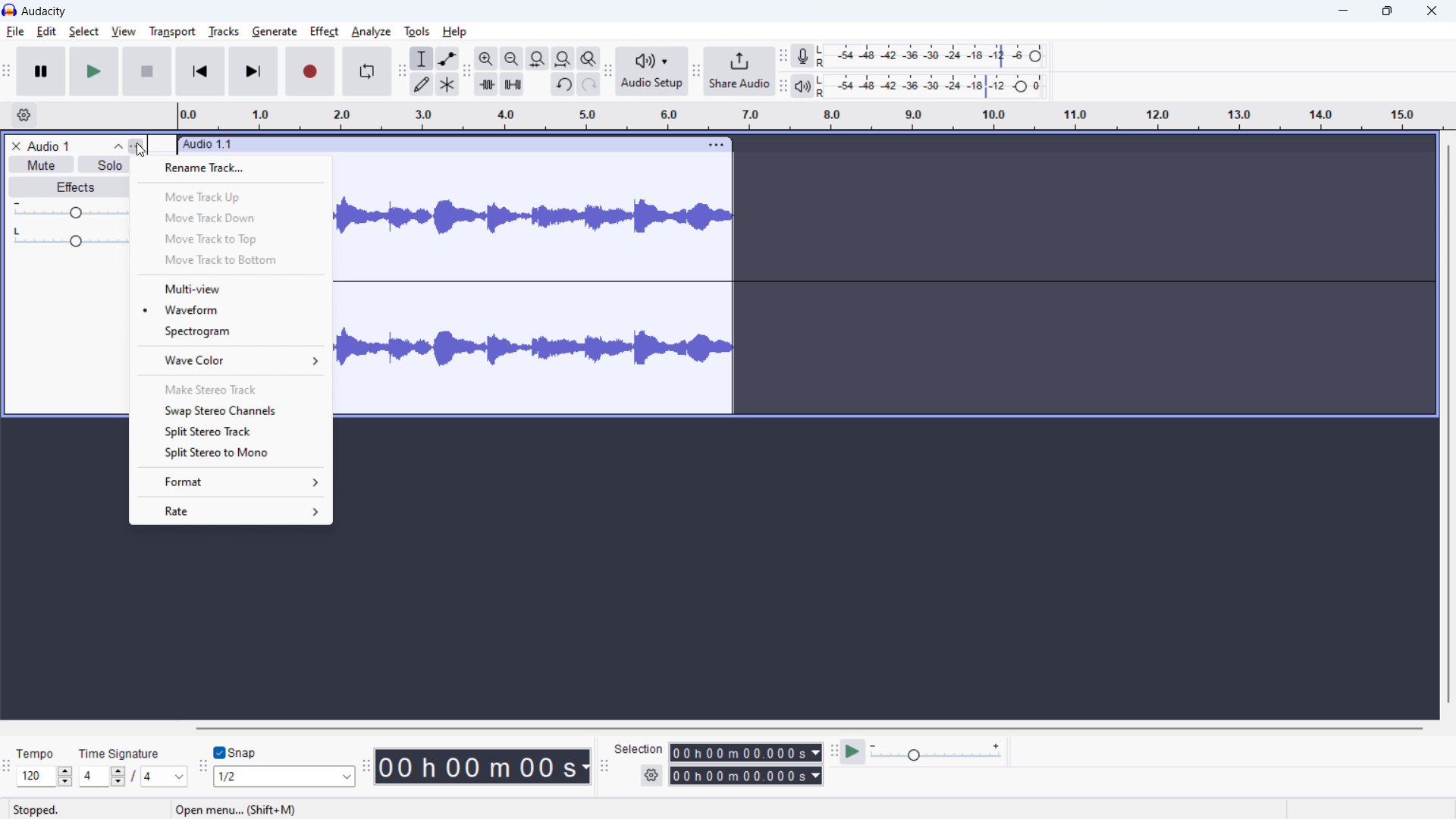 This screenshot has height=819, width=1456. I want to click on transport, so click(171, 31).